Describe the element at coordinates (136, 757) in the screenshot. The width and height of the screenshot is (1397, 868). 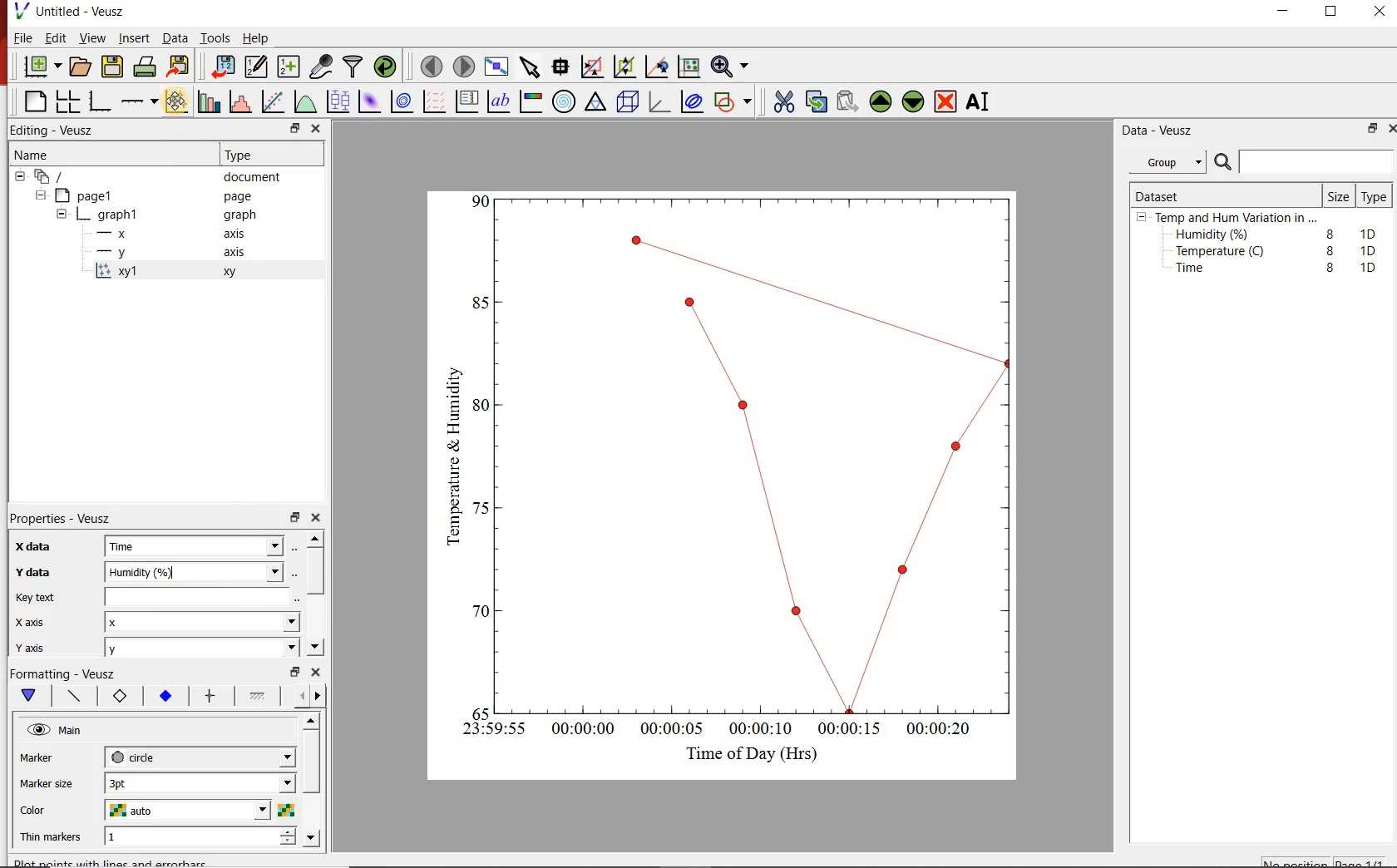
I see `circle` at that location.